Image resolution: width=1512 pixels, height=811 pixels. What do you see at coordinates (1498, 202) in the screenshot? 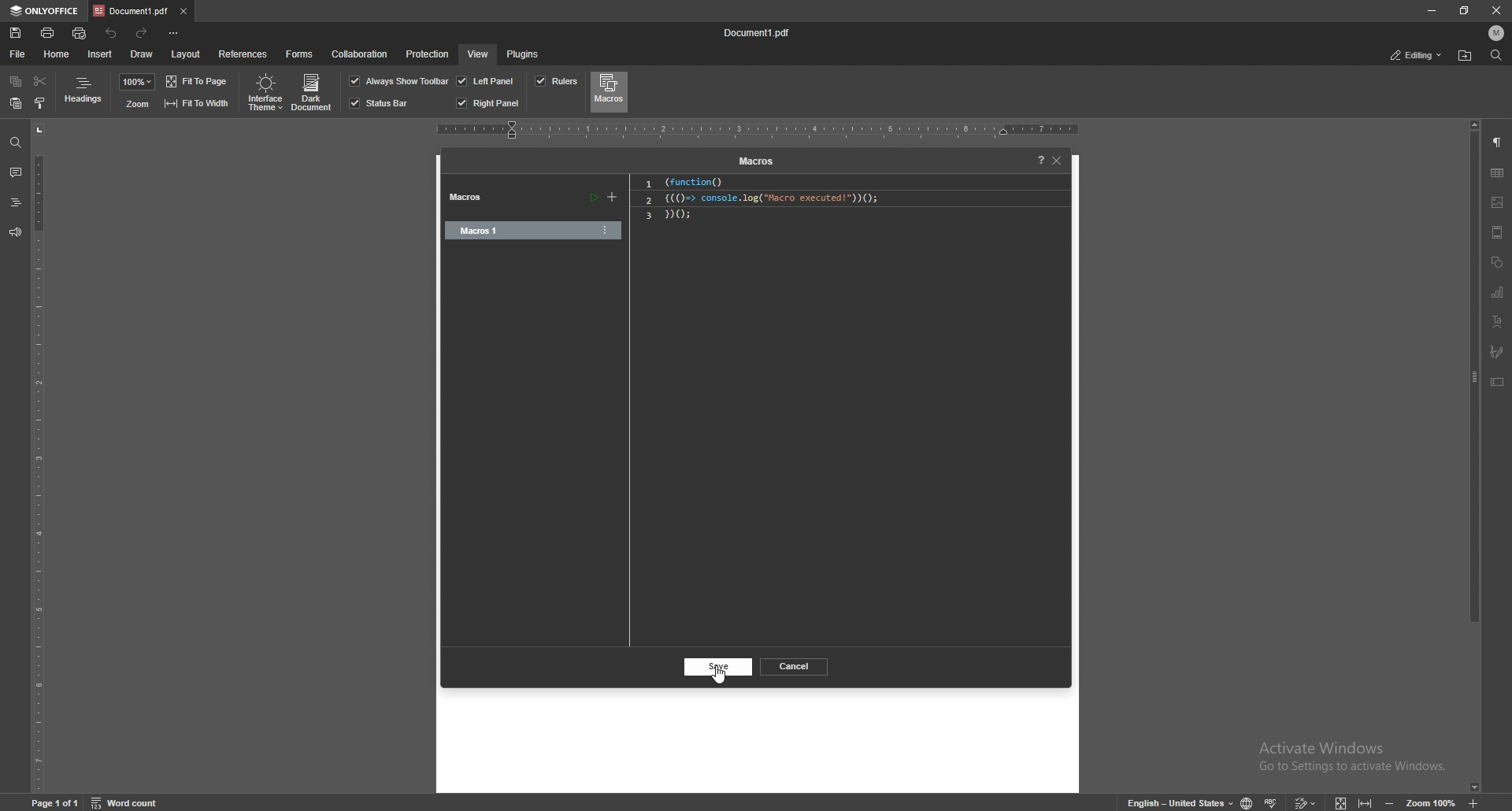
I see `image` at bounding box center [1498, 202].